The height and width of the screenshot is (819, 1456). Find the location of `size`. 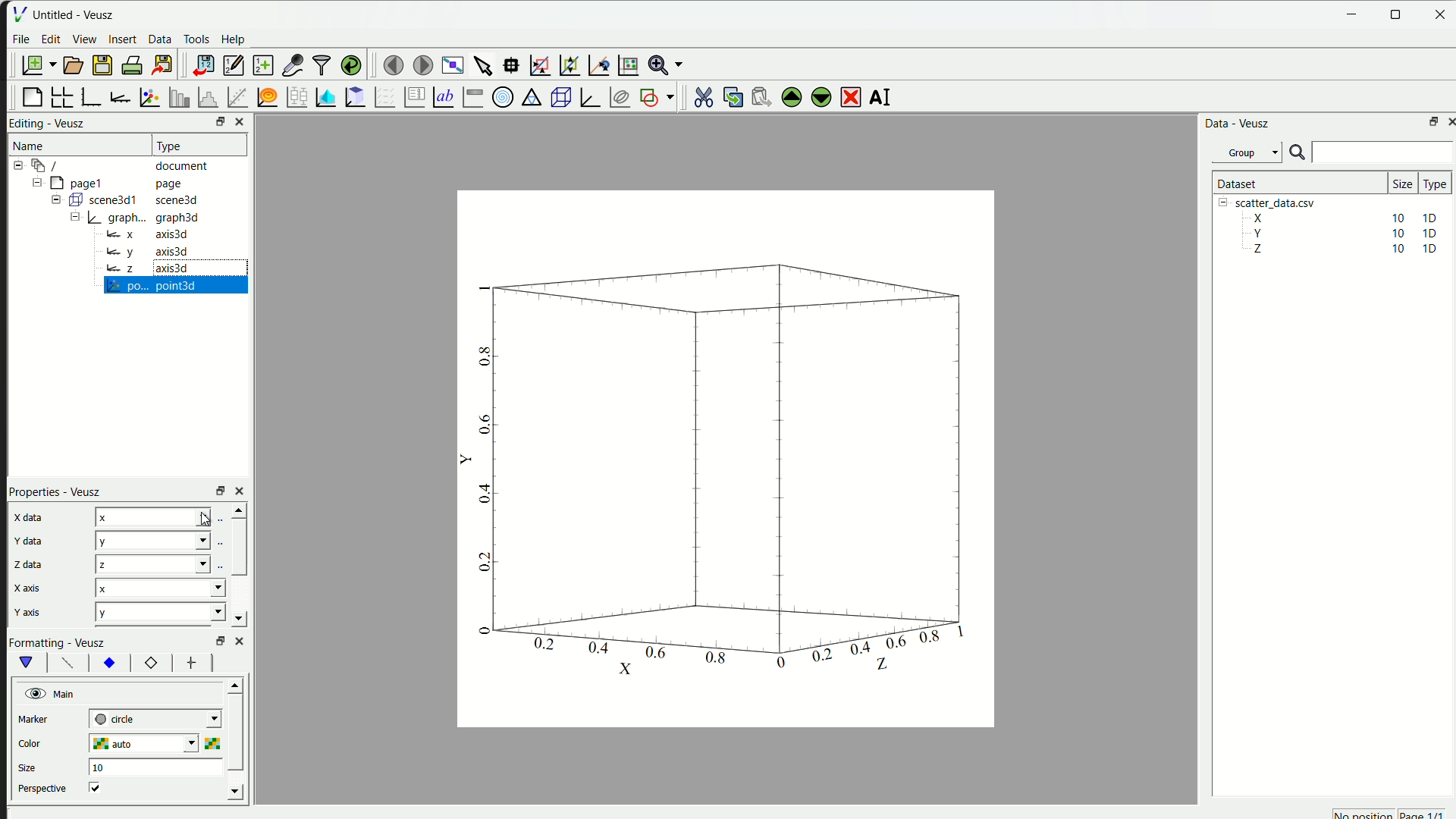

size is located at coordinates (31, 765).